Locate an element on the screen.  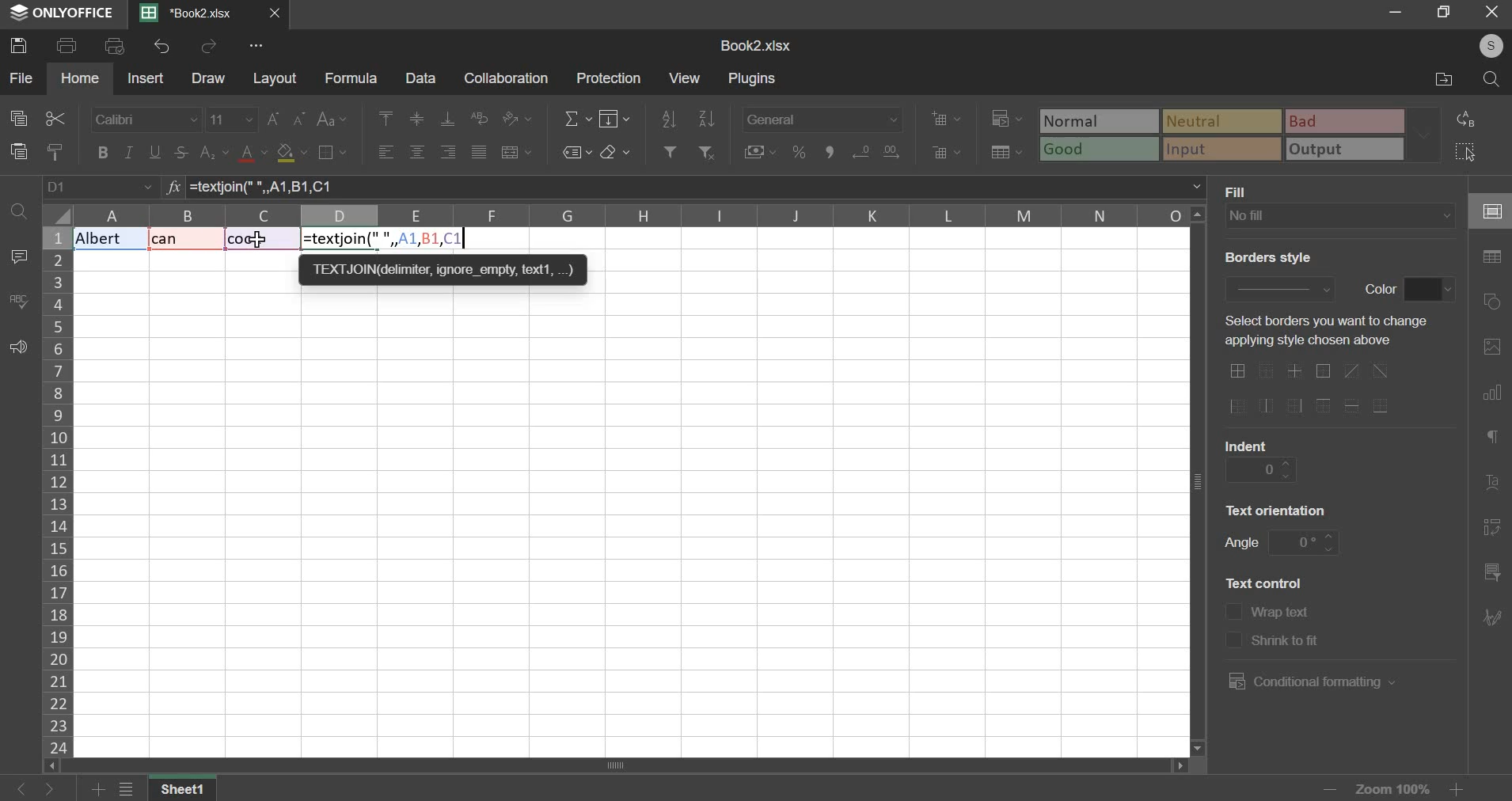
resize is located at coordinates (1440, 15).